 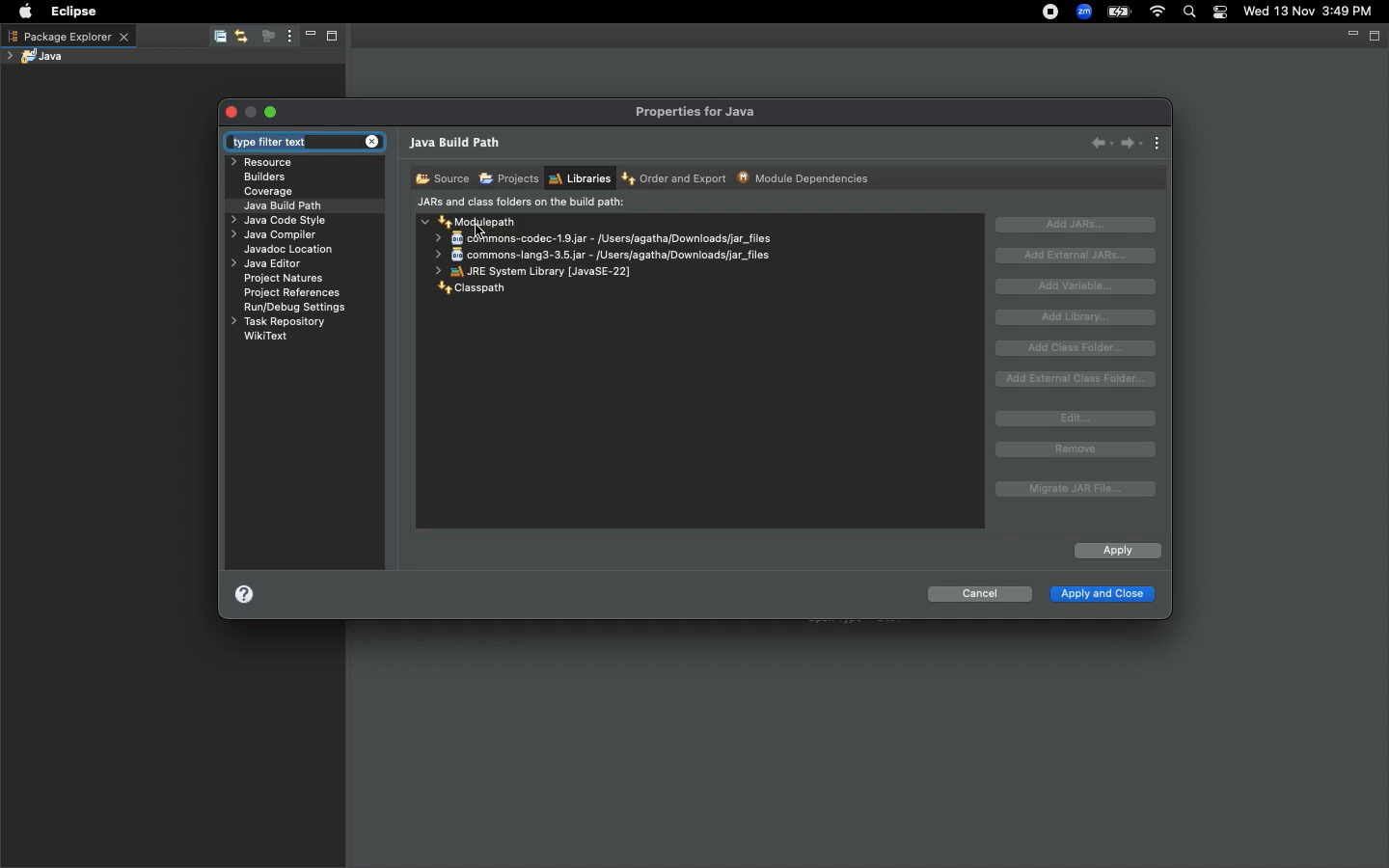 What do you see at coordinates (1076, 449) in the screenshot?
I see `Remove` at bounding box center [1076, 449].